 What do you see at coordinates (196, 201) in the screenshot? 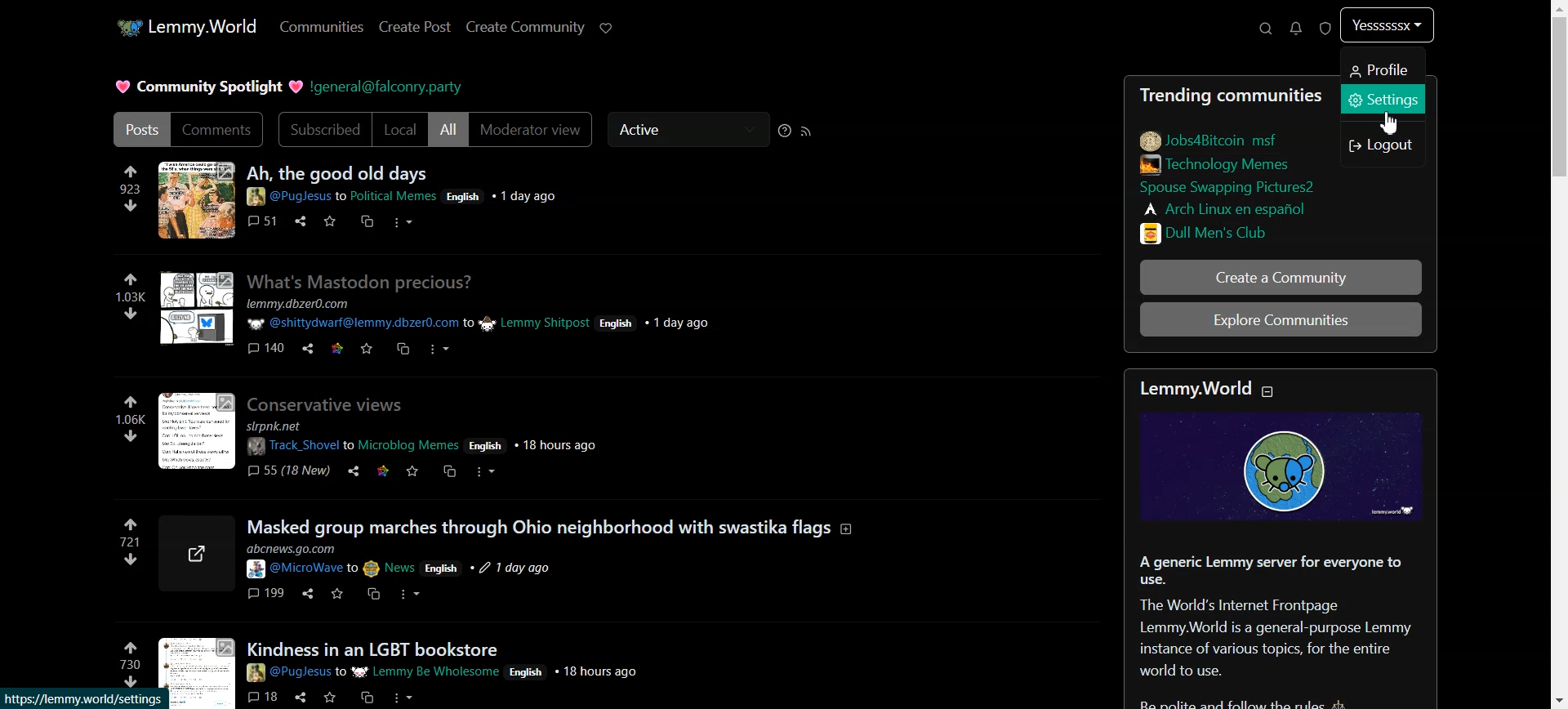
I see `image` at bounding box center [196, 201].